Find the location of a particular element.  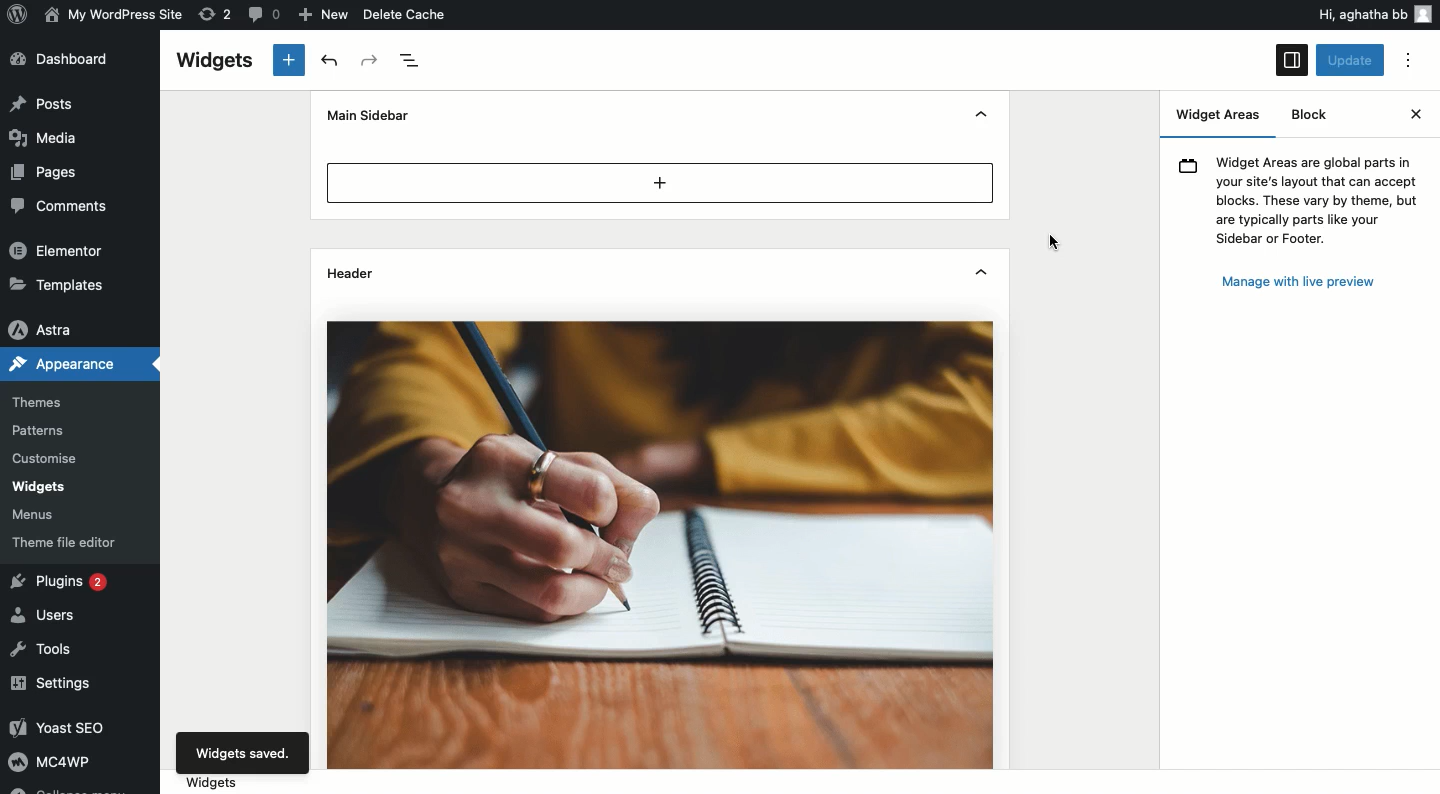

Manage with live preview is located at coordinates (1288, 284).